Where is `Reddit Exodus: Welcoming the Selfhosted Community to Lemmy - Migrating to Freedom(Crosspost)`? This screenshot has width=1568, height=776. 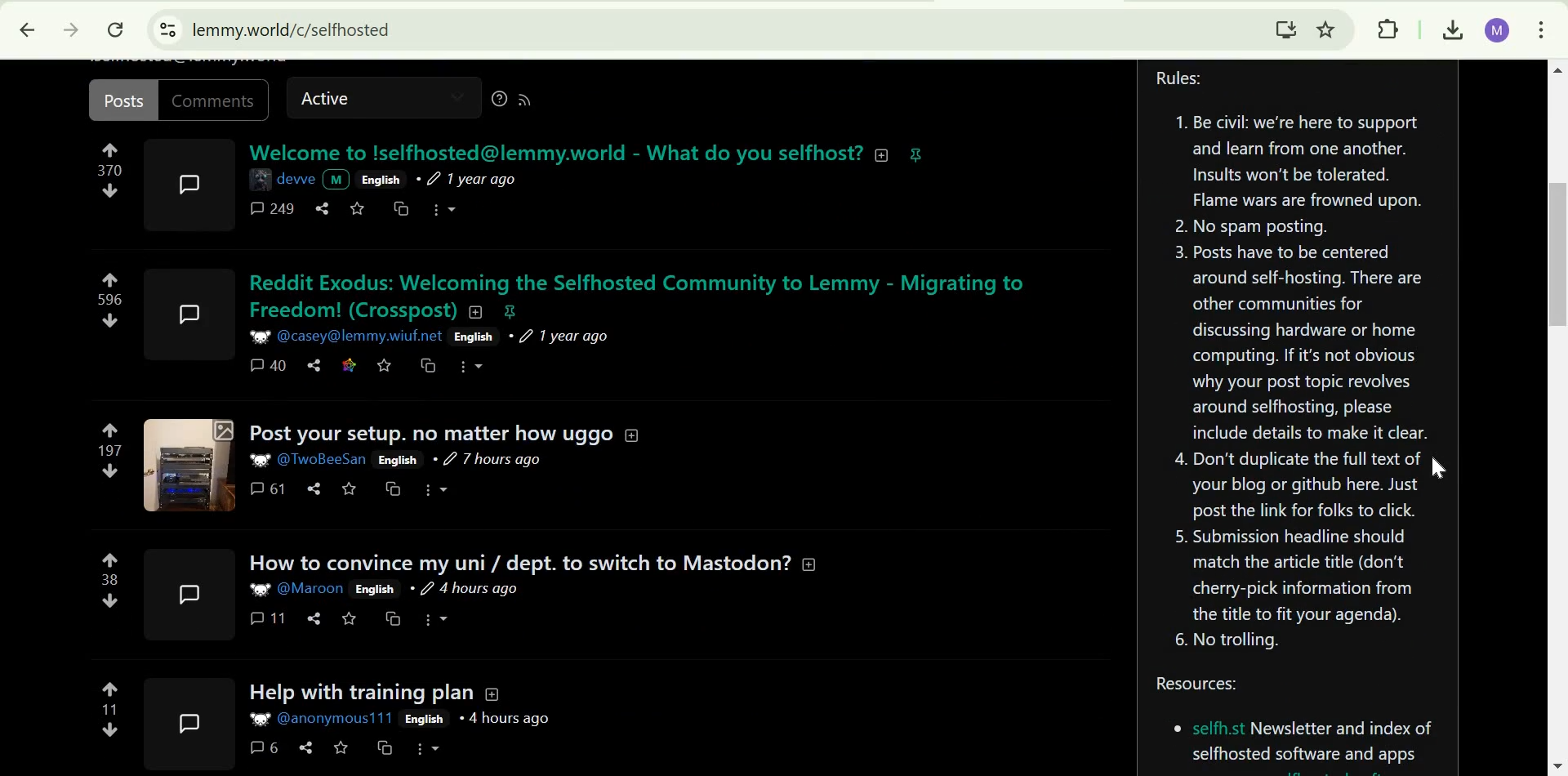 Reddit Exodus: Welcoming the Selfhosted Community to Lemmy - Migrating to Freedom(Crosspost) is located at coordinates (645, 295).